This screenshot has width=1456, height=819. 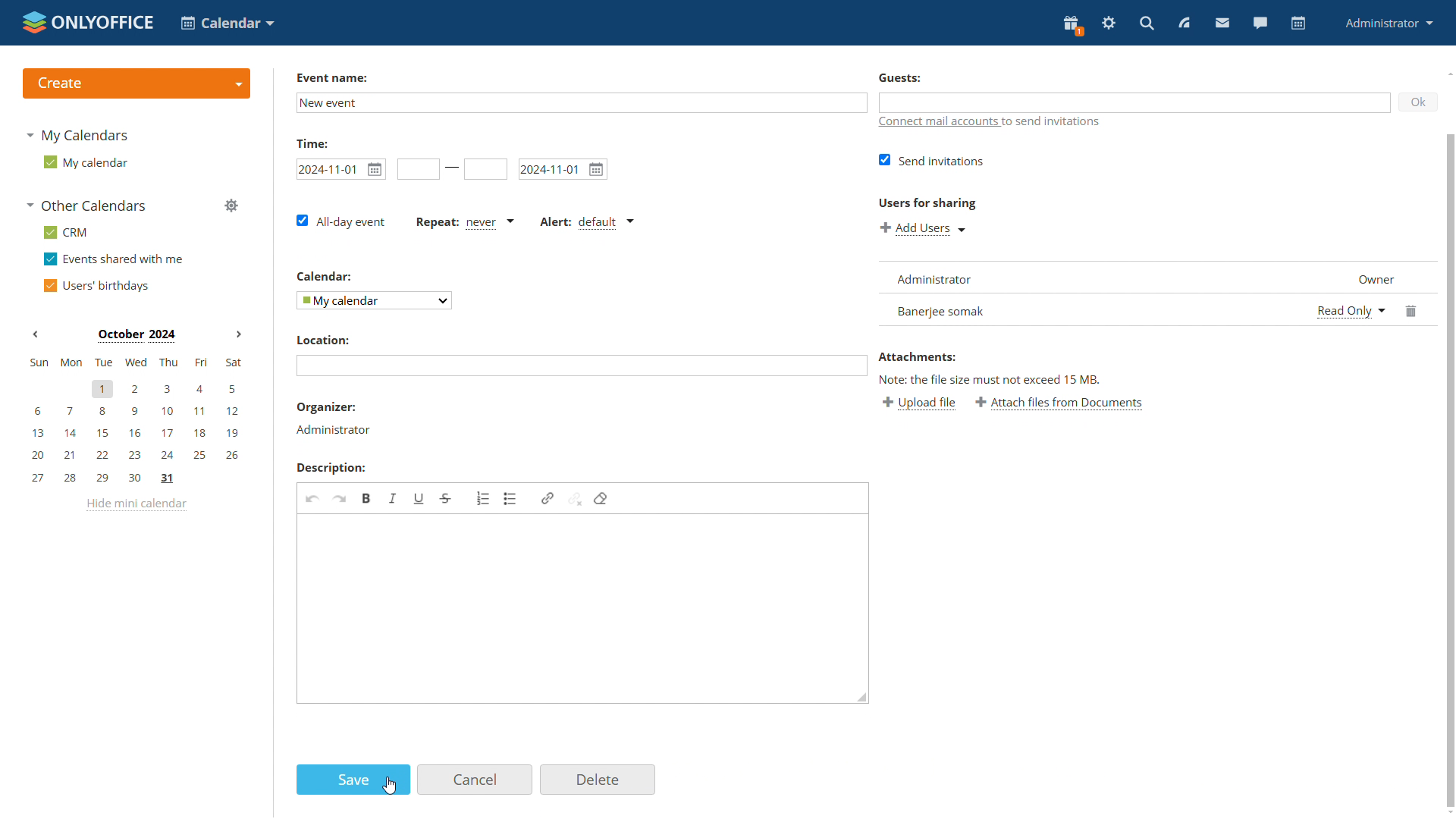 What do you see at coordinates (464, 221) in the screenshot?
I see `event repetition` at bounding box center [464, 221].